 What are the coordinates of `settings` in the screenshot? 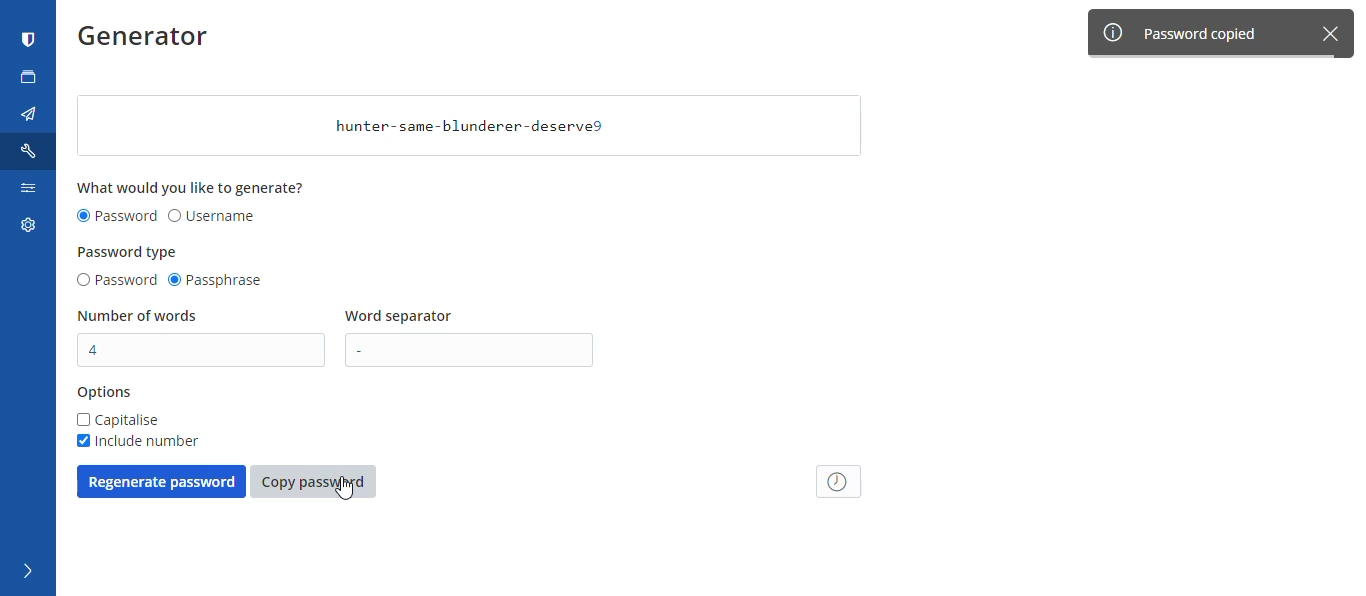 It's located at (25, 229).